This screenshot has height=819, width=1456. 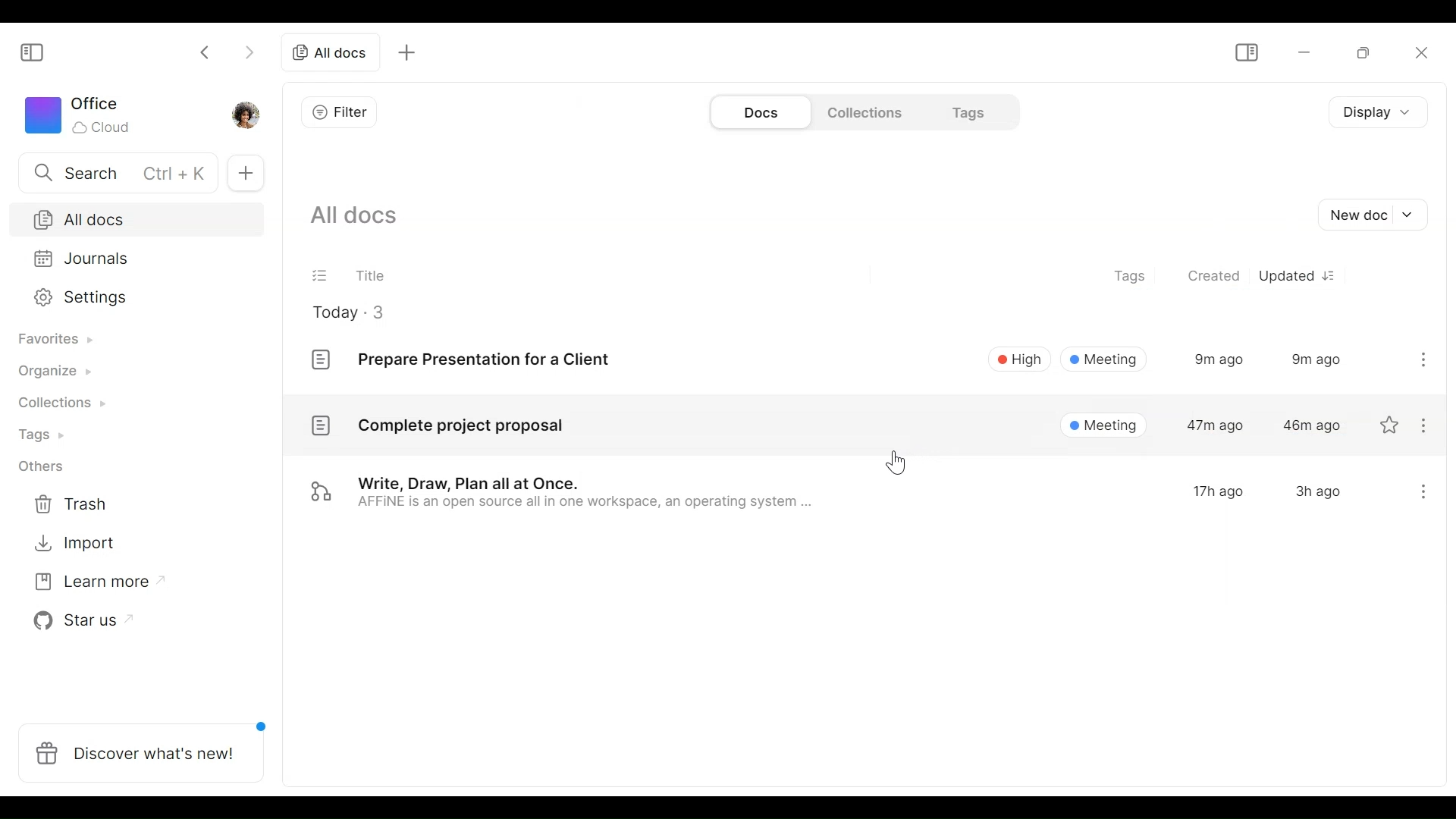 What do you see at coordinates (1319, 493) in the screenshot?
I see `3h ago` at bounding box center [1319, 493].